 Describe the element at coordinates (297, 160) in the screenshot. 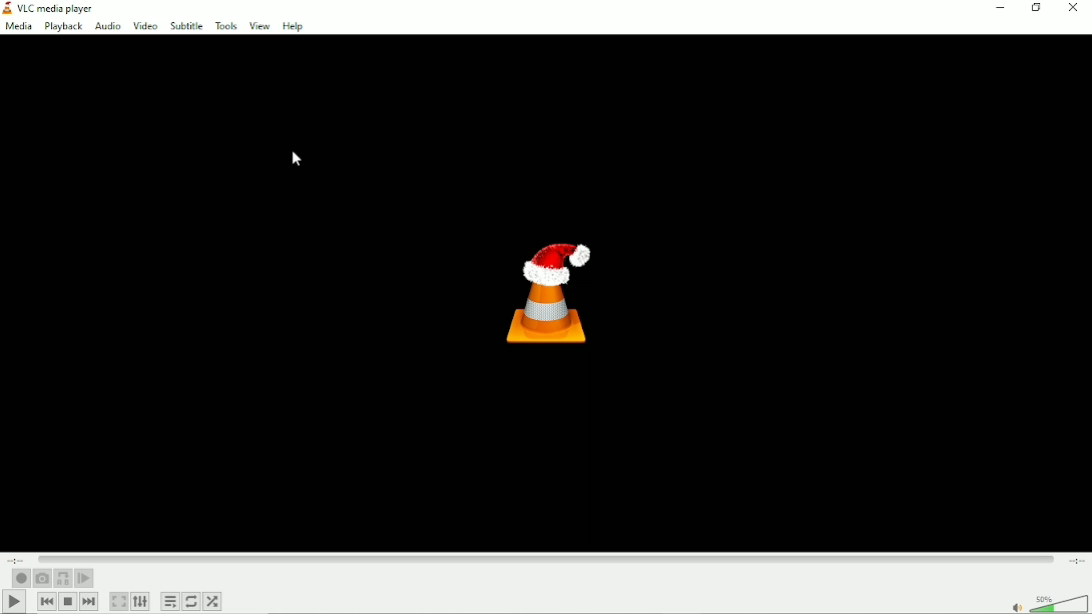

I see `Cursor` at that location.